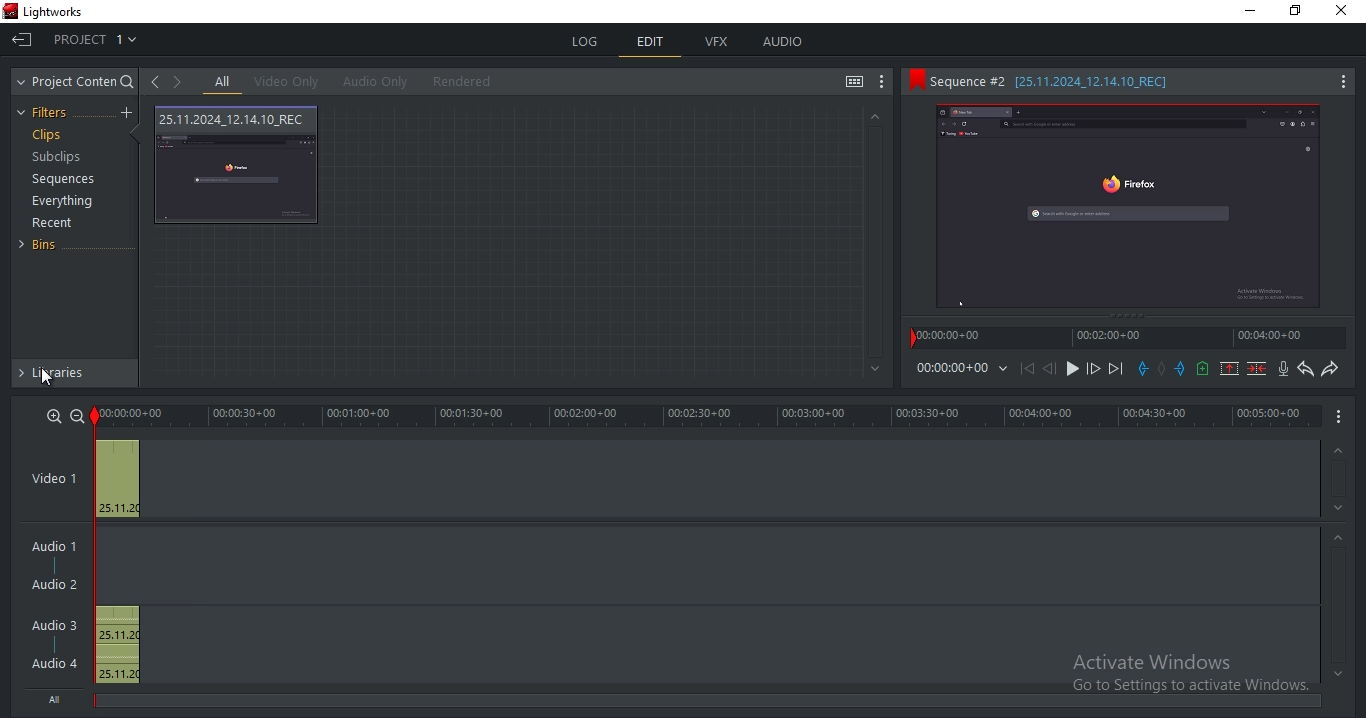 This screenshot has width=1366, height=718. I want to click on all, so click(222, 83).